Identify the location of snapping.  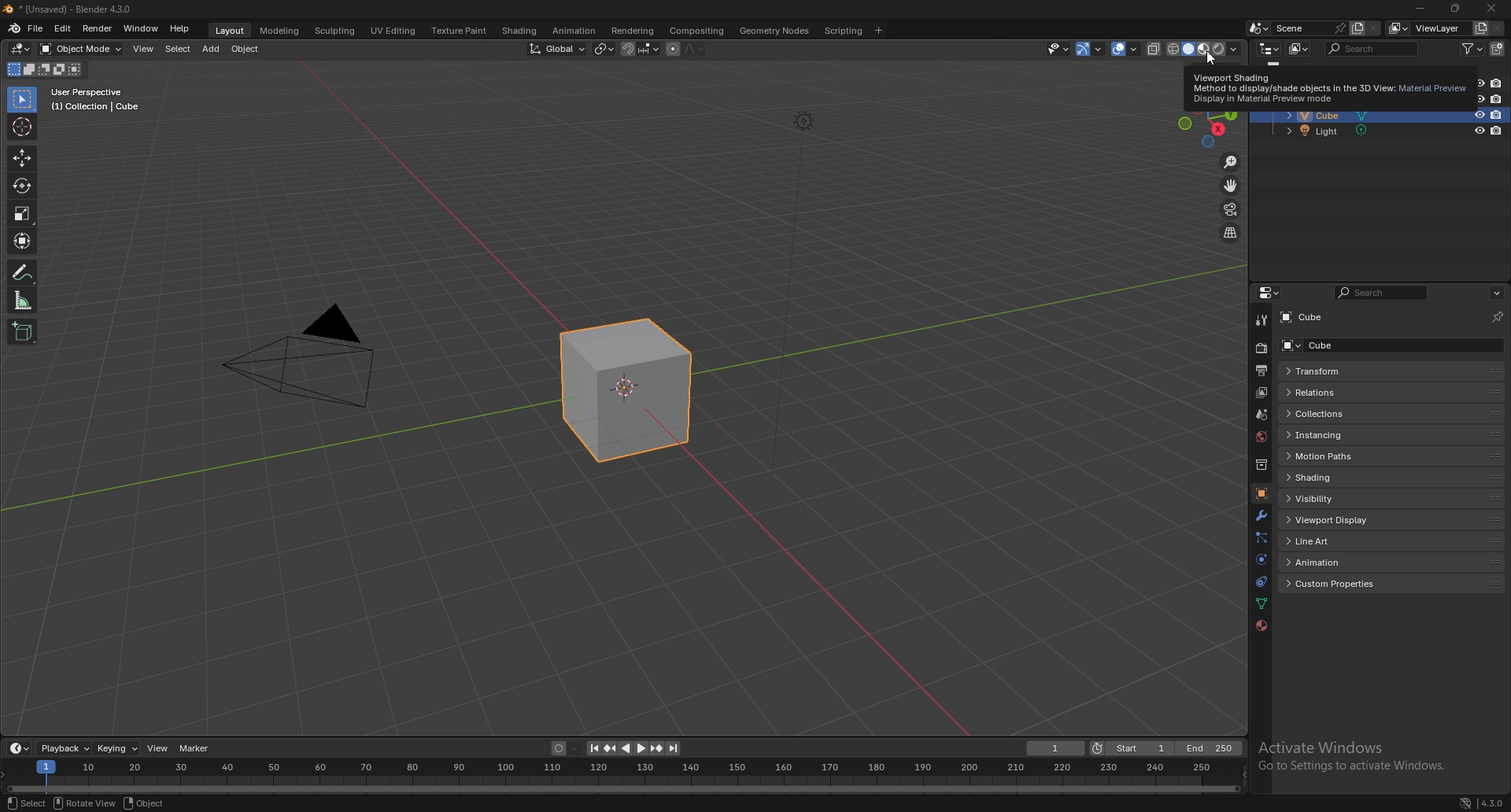
(641, 49).